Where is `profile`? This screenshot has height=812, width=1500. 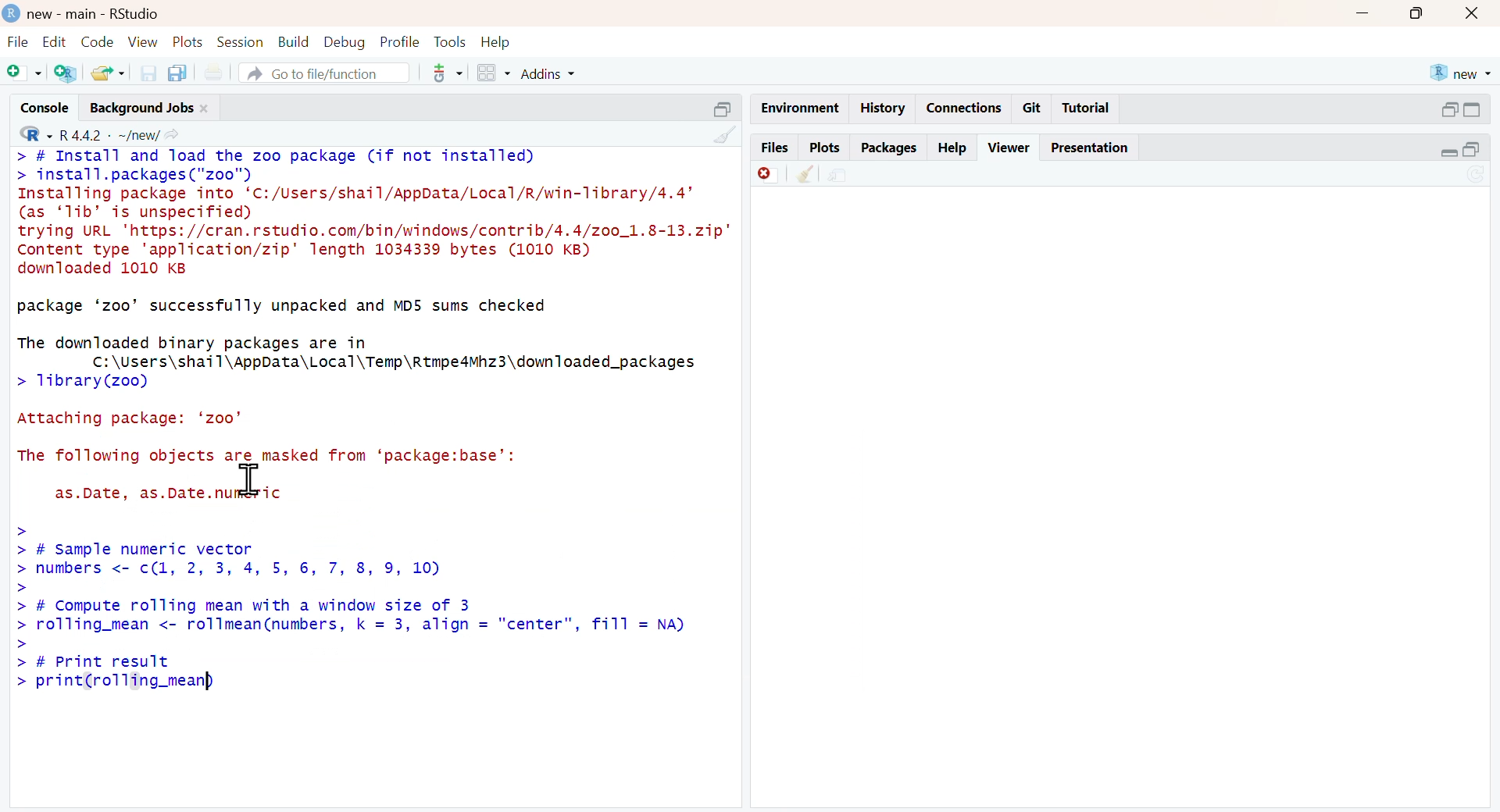 profile is located at coordinates (401, 42).